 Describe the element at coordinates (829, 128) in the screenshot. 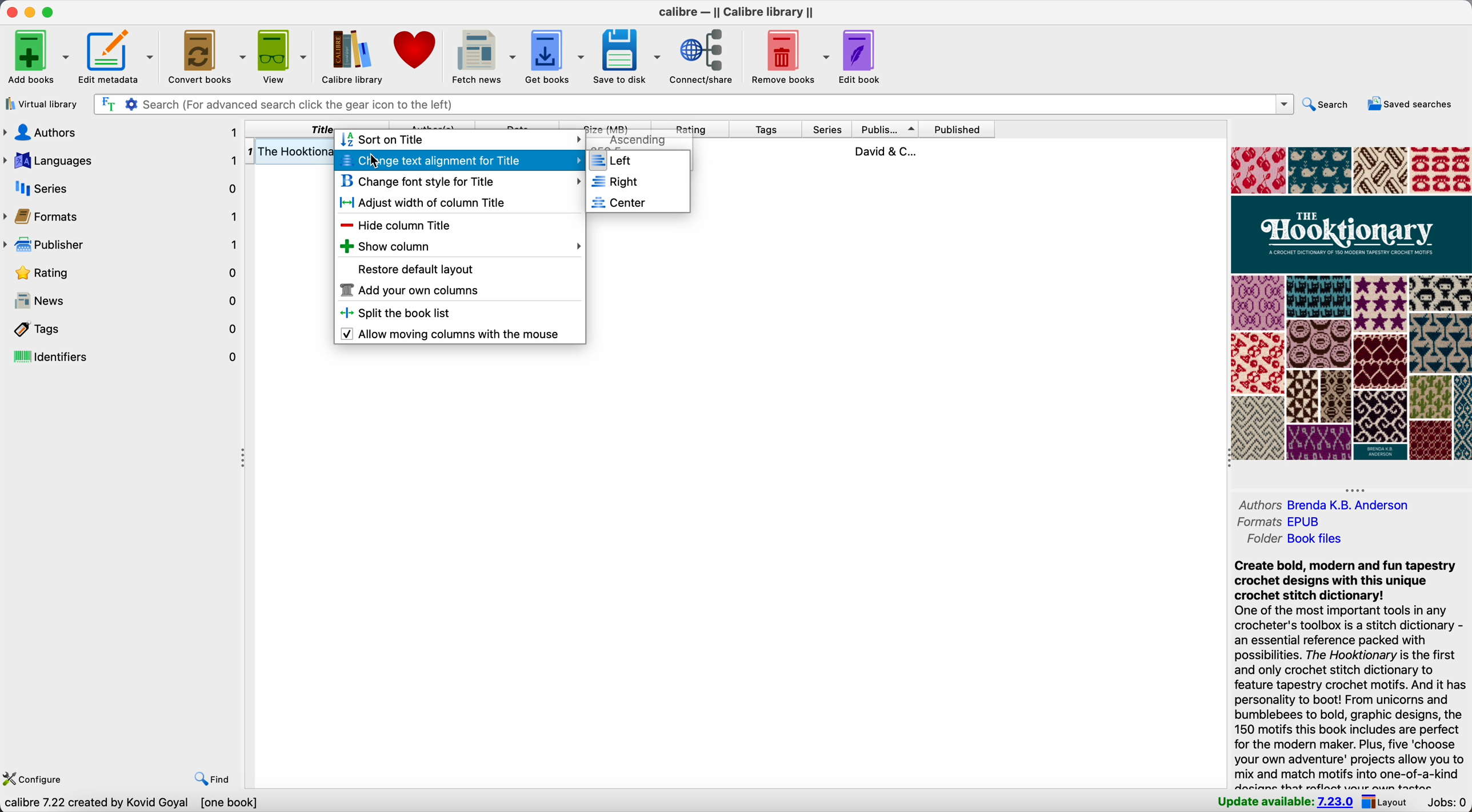

I see `series` at that location.